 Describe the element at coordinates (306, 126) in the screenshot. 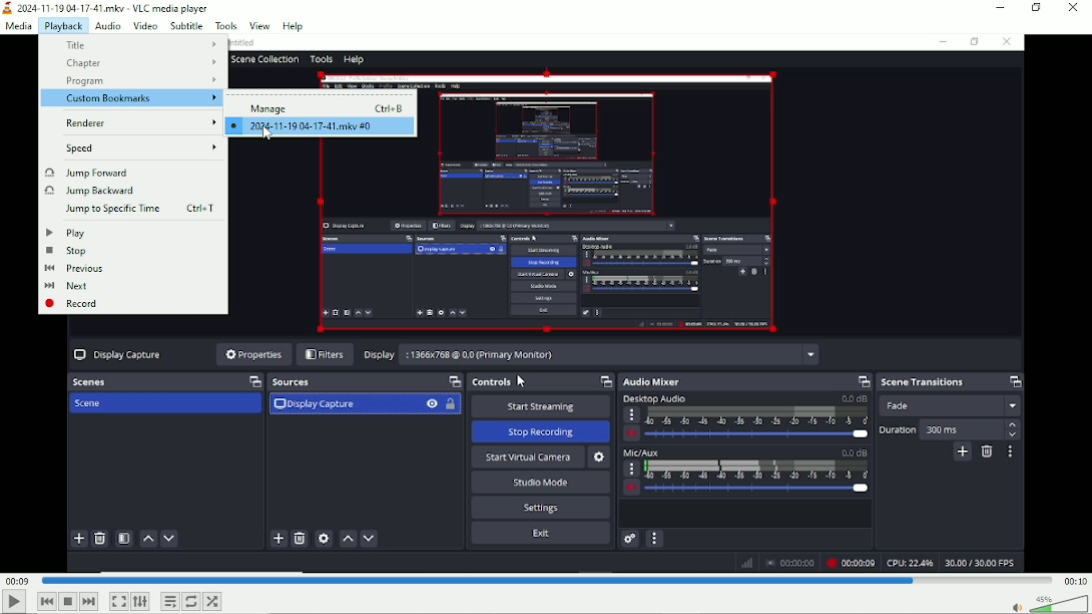

I see `2024-11-19 04-17-41.mkv#0` at that location.